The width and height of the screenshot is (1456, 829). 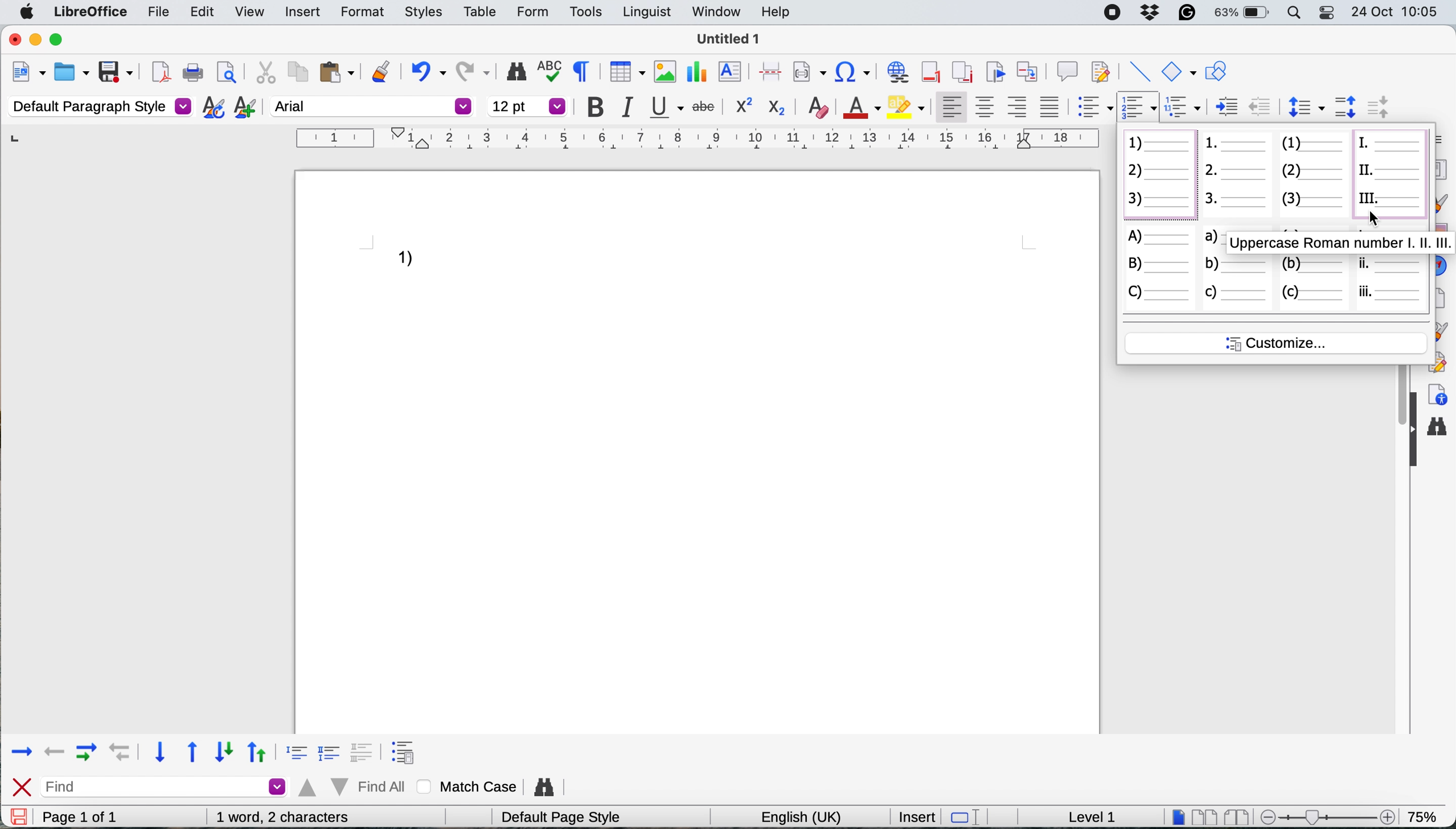 What do you see at coordinates (529, 13) in the screenshot?
I see `form` at bounding box center [529, 13].